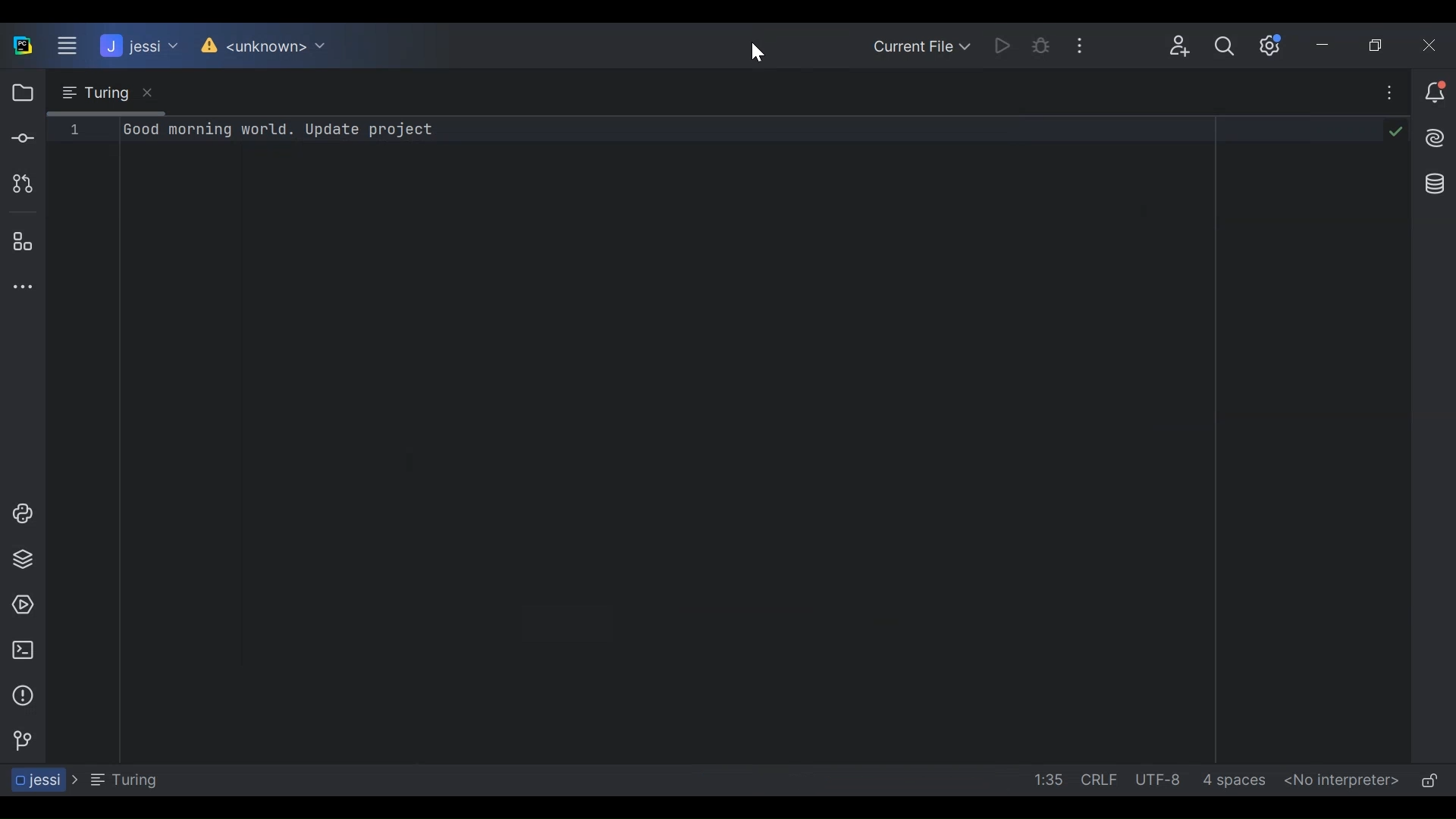  Describe the element at coordinates (74, 129) in the screenshot. I see `line 1` at that location.